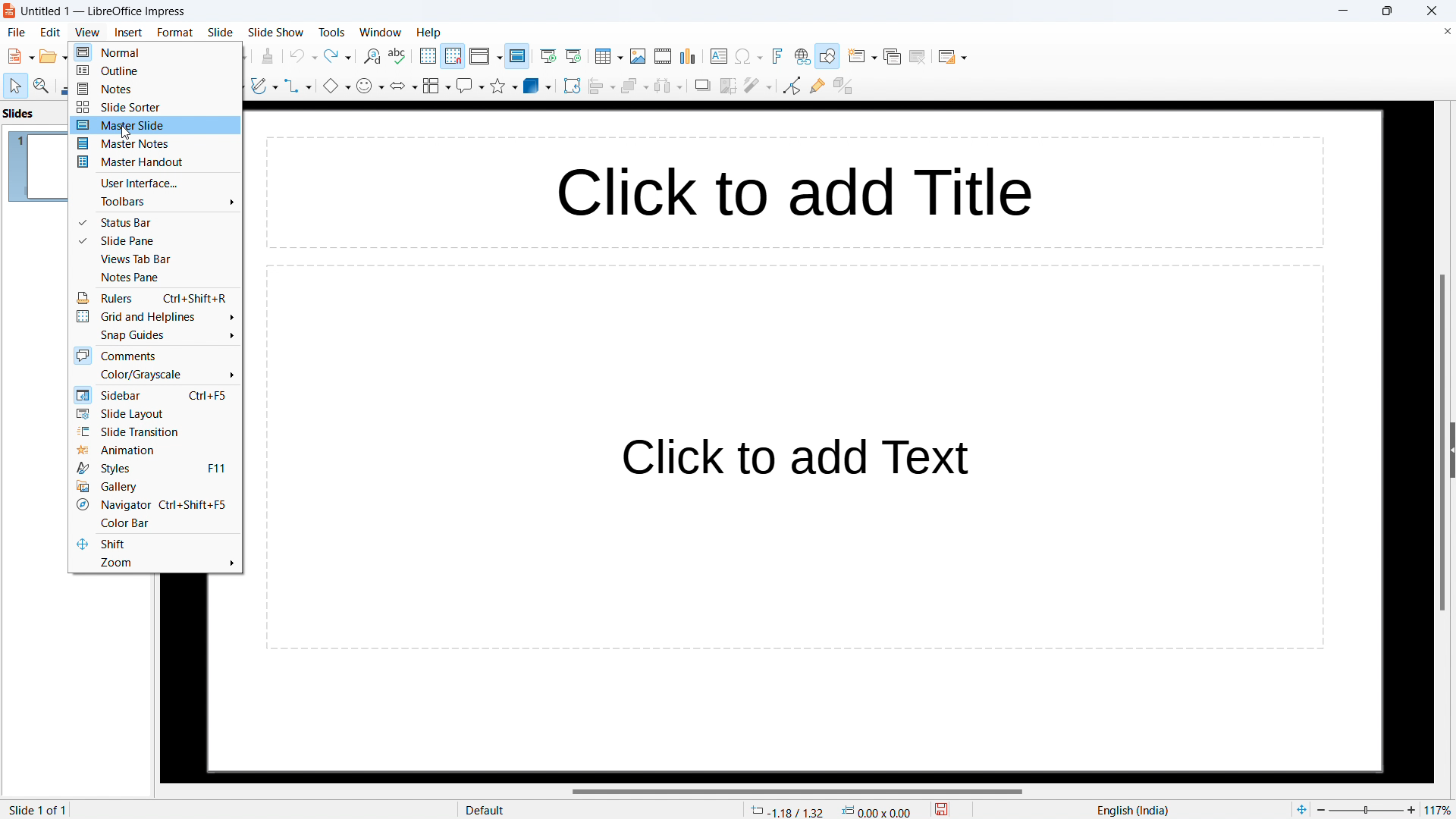 Image resolution: width=1456 pixels, height=819 pixels. I want to click on color bar, so click(155, 523).